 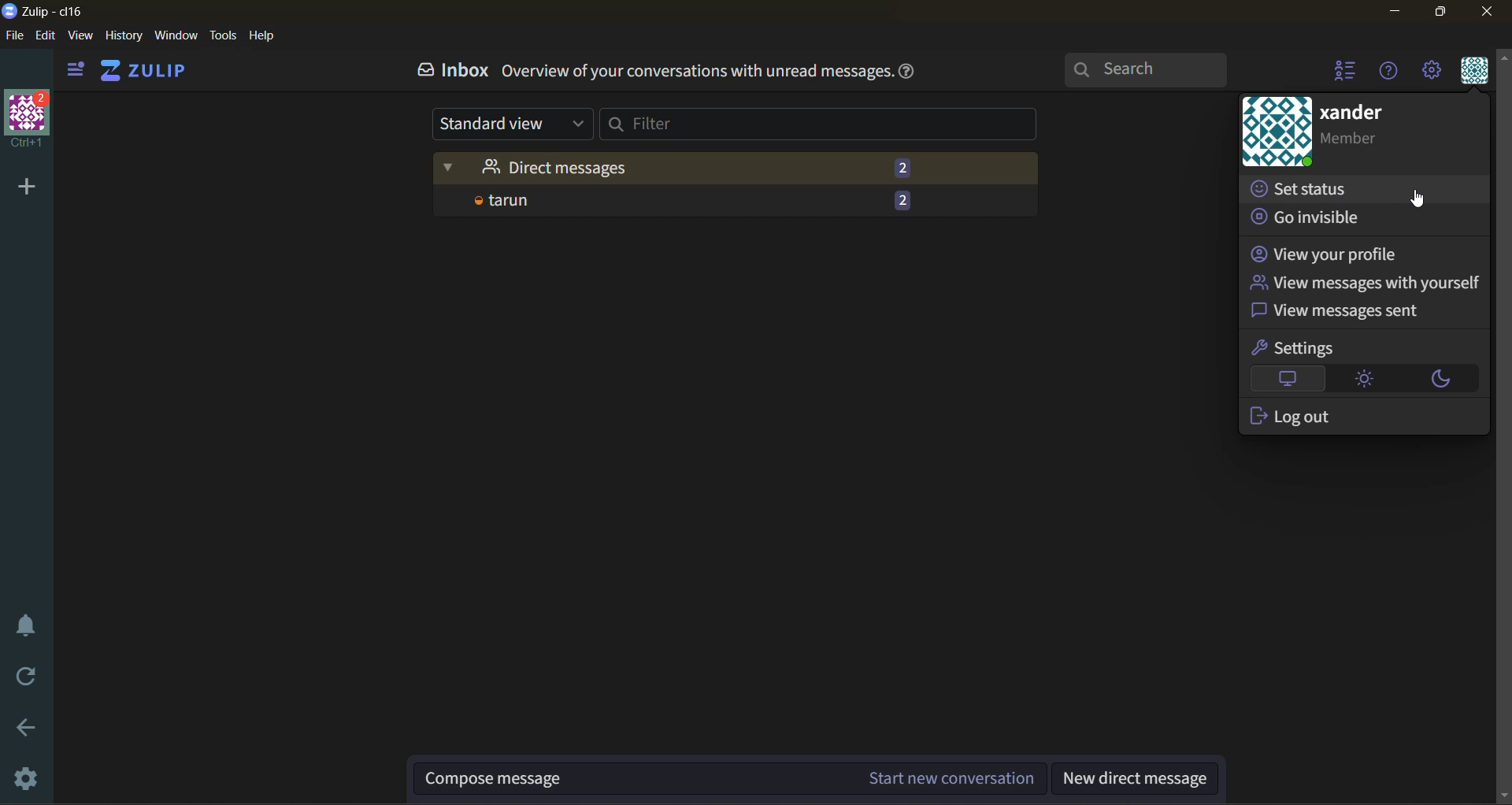 What do you see at coordinates (225, 35) in the screenshot?
I see `tools` at bounding box center [225, 35].